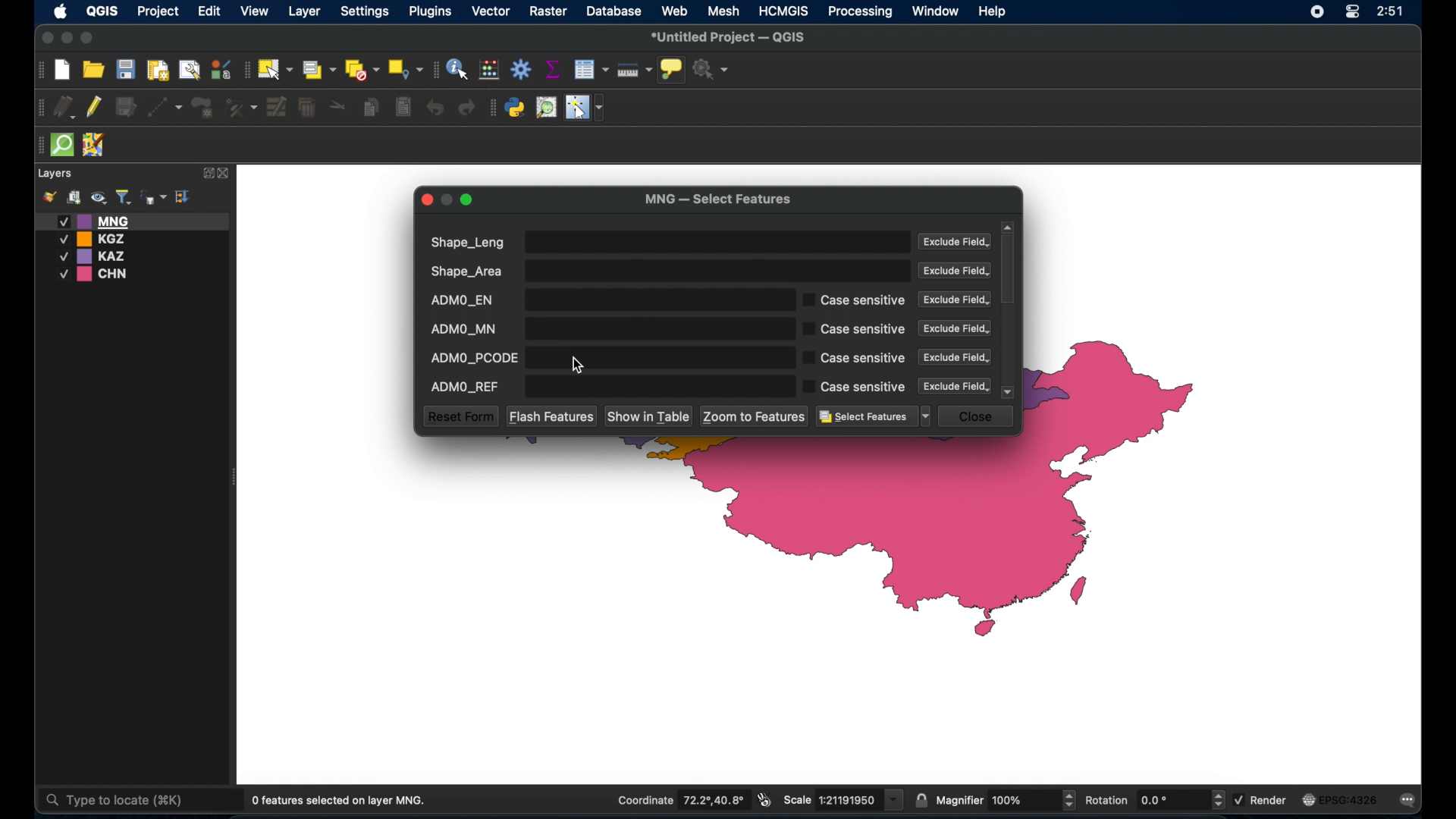 This screenshot has width=1456, height=819. What do you see at coordinates (406, 70) in the screenshot?
I see `select by location` at bounding box center [406, 70].